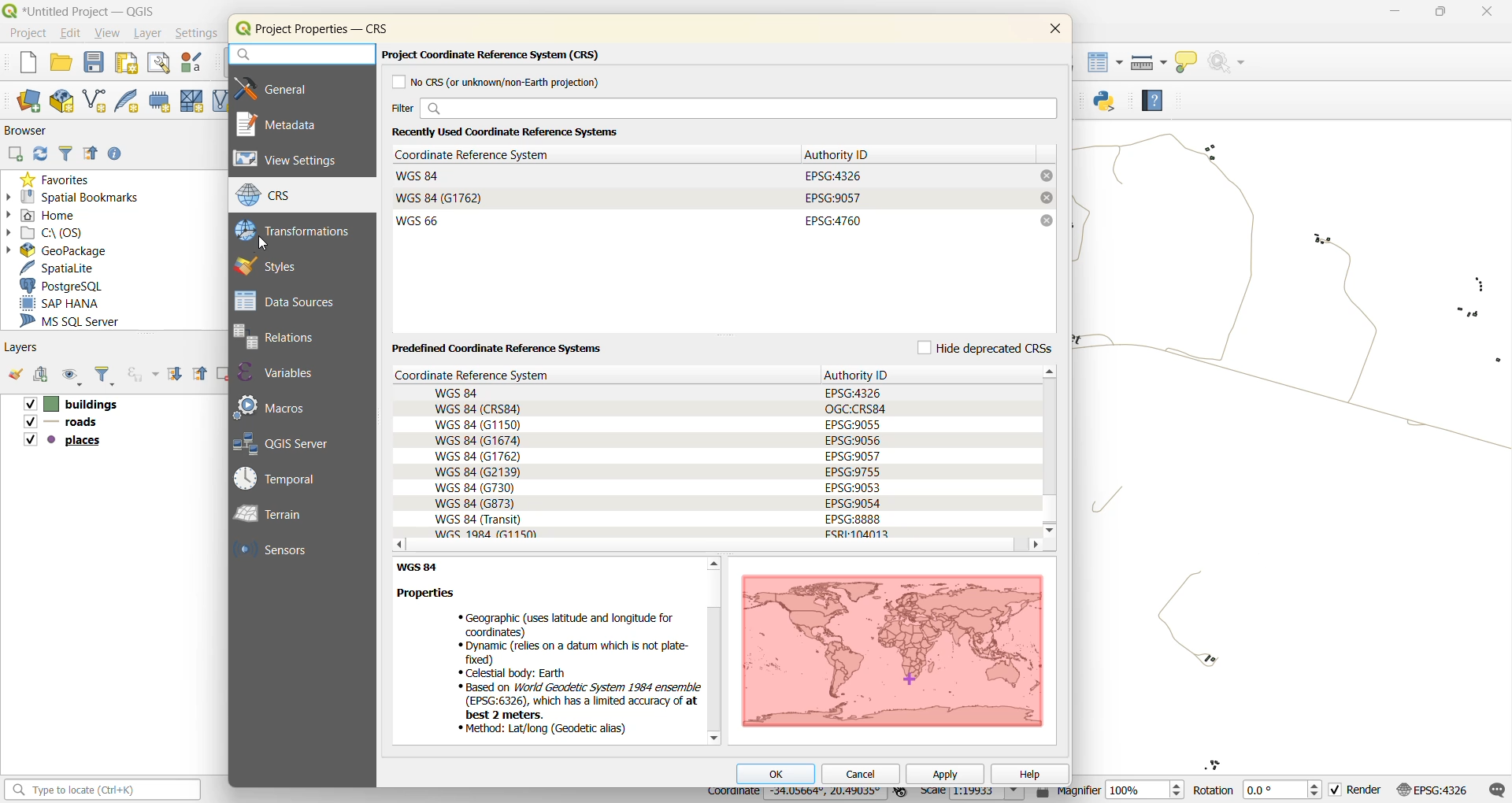 The height and width of the screenshot is (803, 1512). Describe the element at coordinates (861, 374) in the screenshot. I see `authority ID` at that location.